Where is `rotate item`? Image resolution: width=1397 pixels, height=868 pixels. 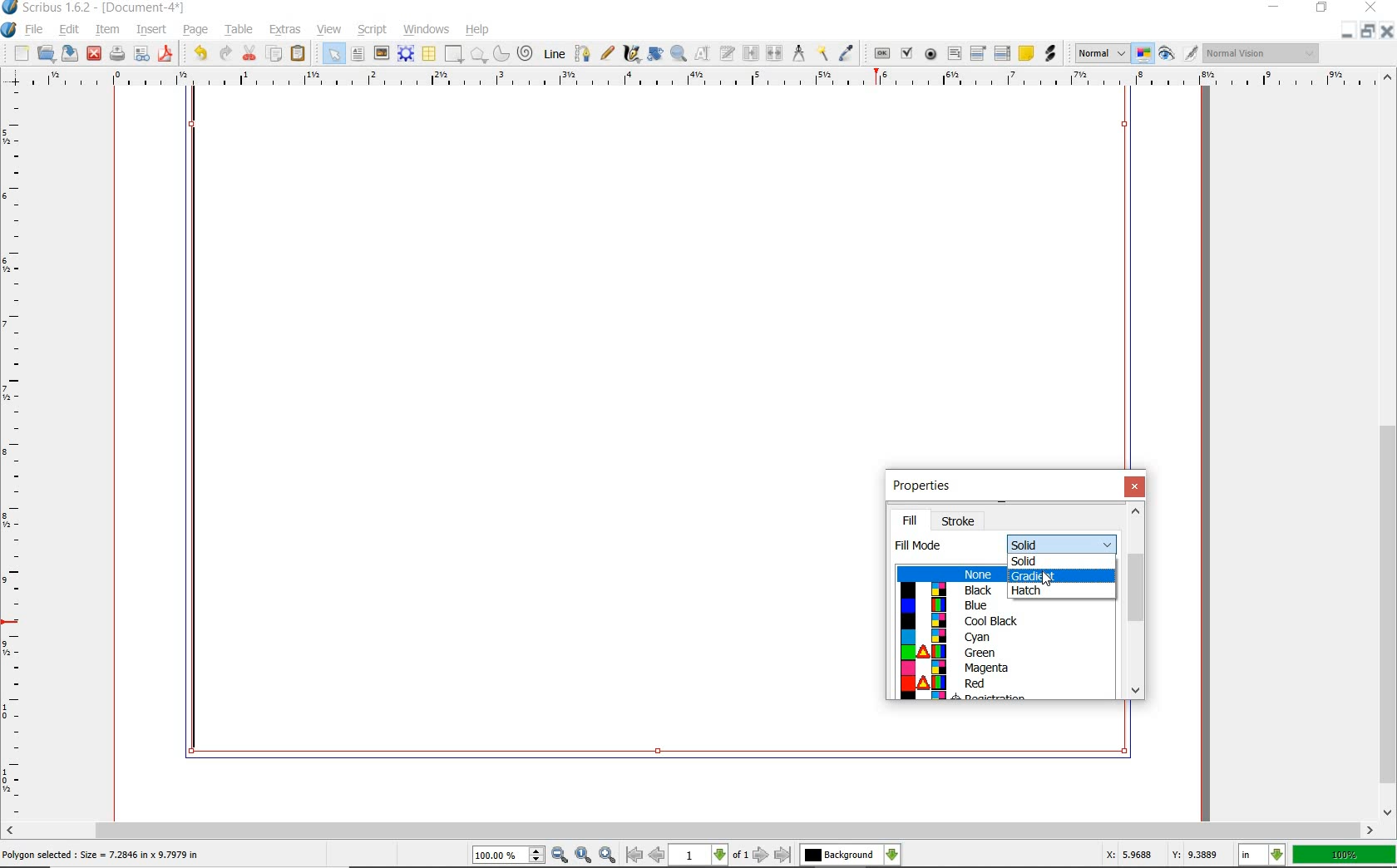
rotate item is located at coordinates (654, 55).